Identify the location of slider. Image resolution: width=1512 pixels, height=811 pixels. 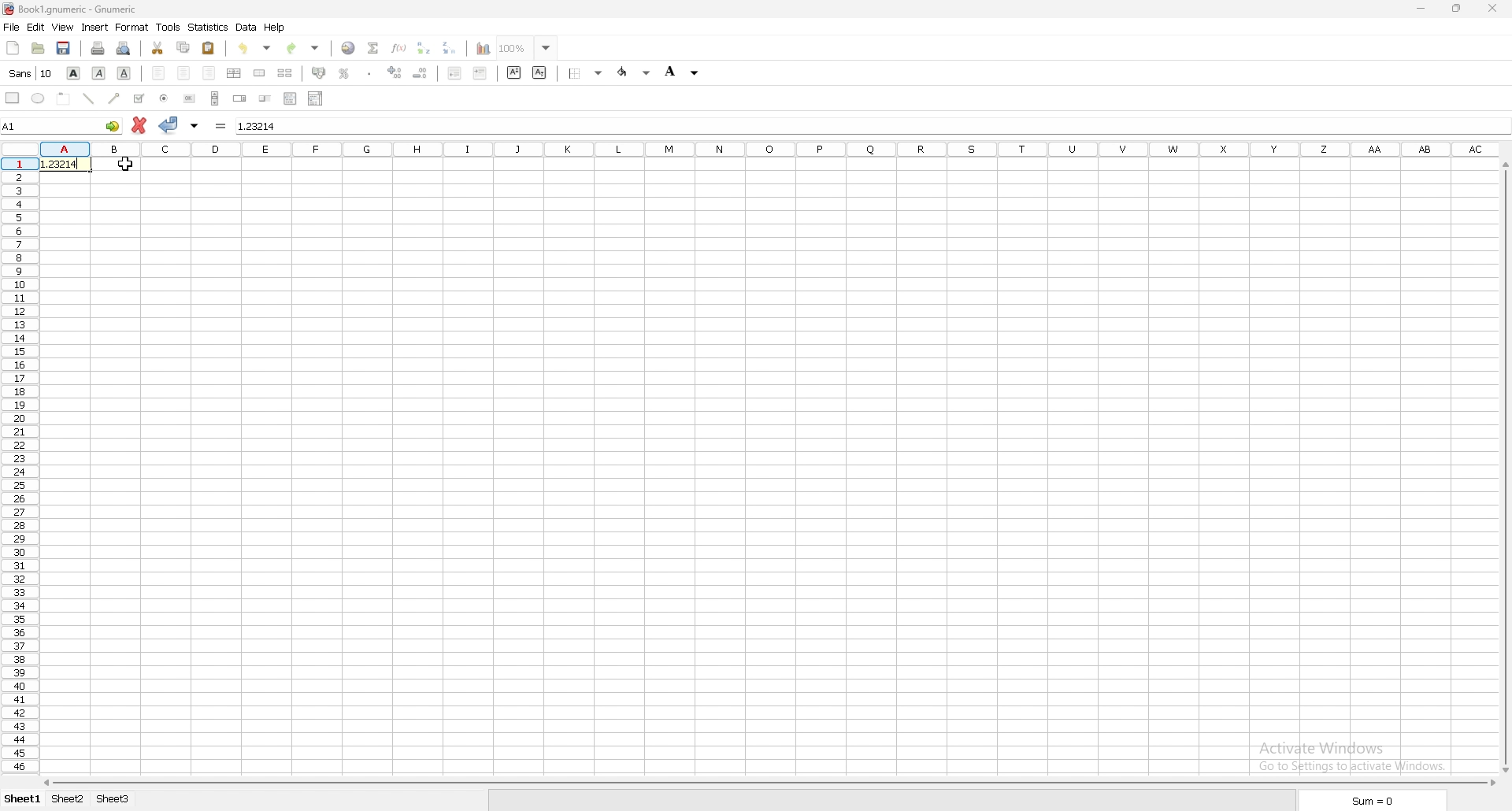
(265, 99).